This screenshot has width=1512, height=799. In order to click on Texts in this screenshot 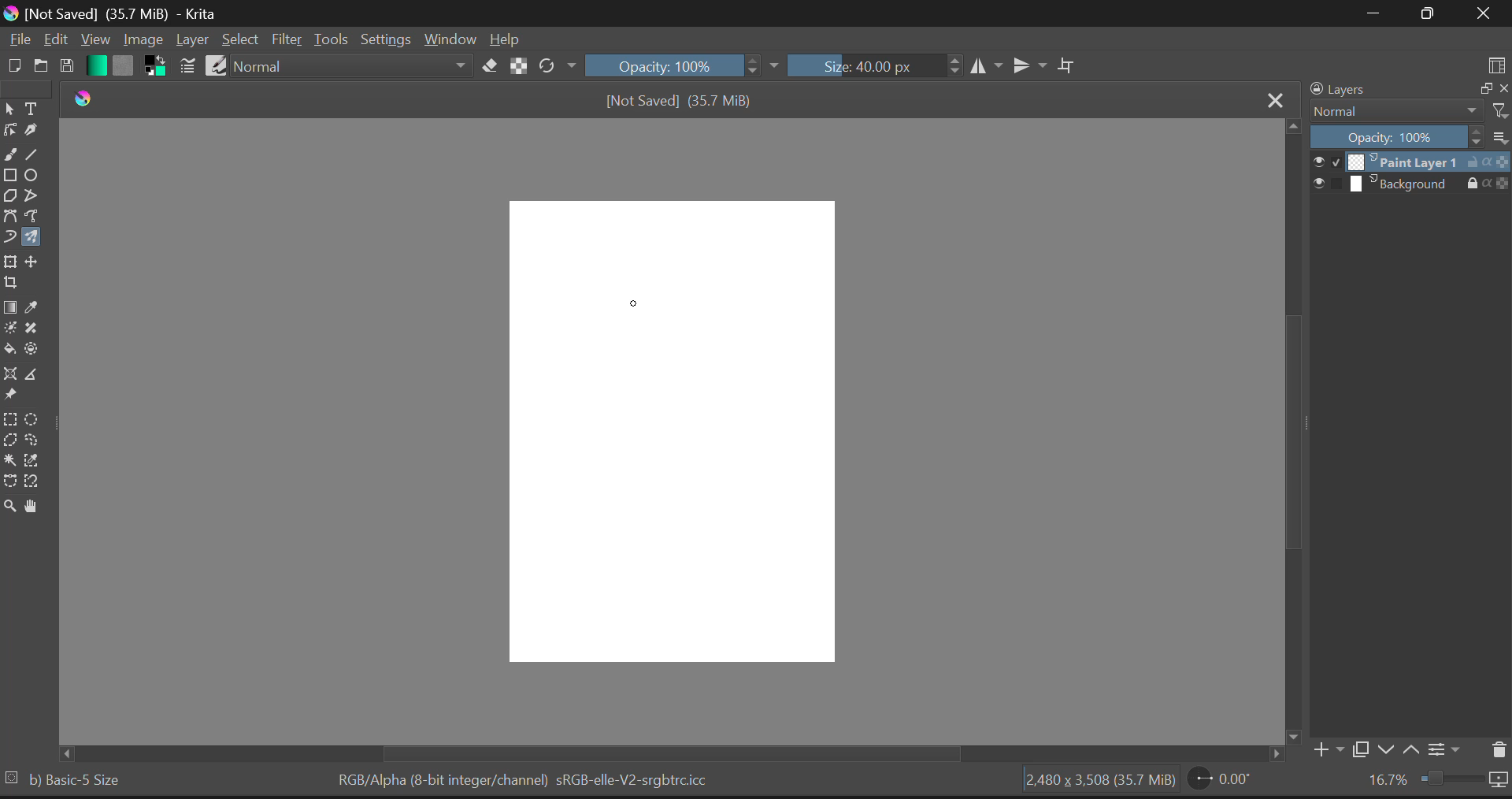, I will do `click(32, 107)`.